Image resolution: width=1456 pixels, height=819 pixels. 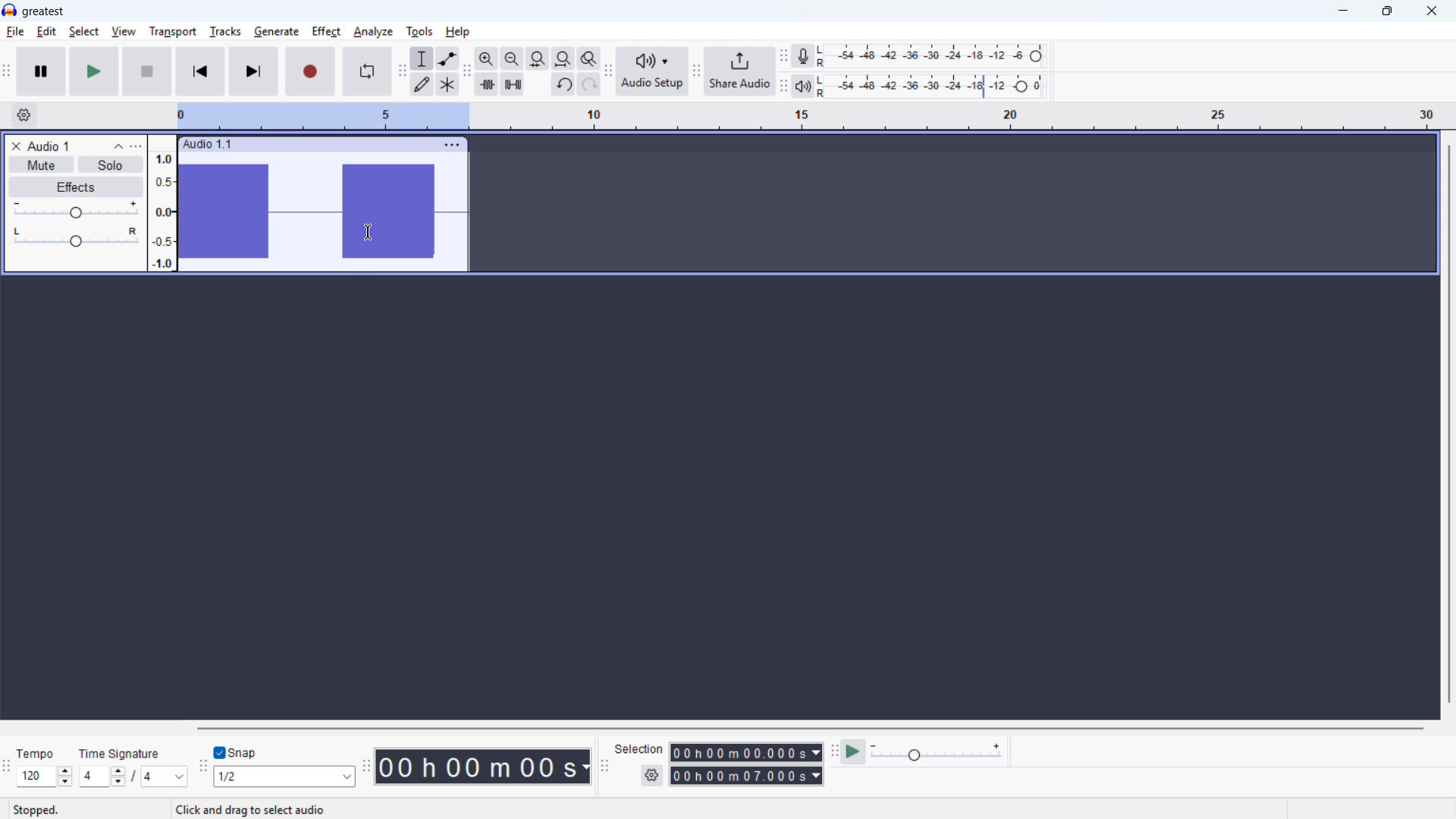 What do you see at coordinates (76, 211) in the screenshot?
I see `Gain ` at bounding box center [76, 211].